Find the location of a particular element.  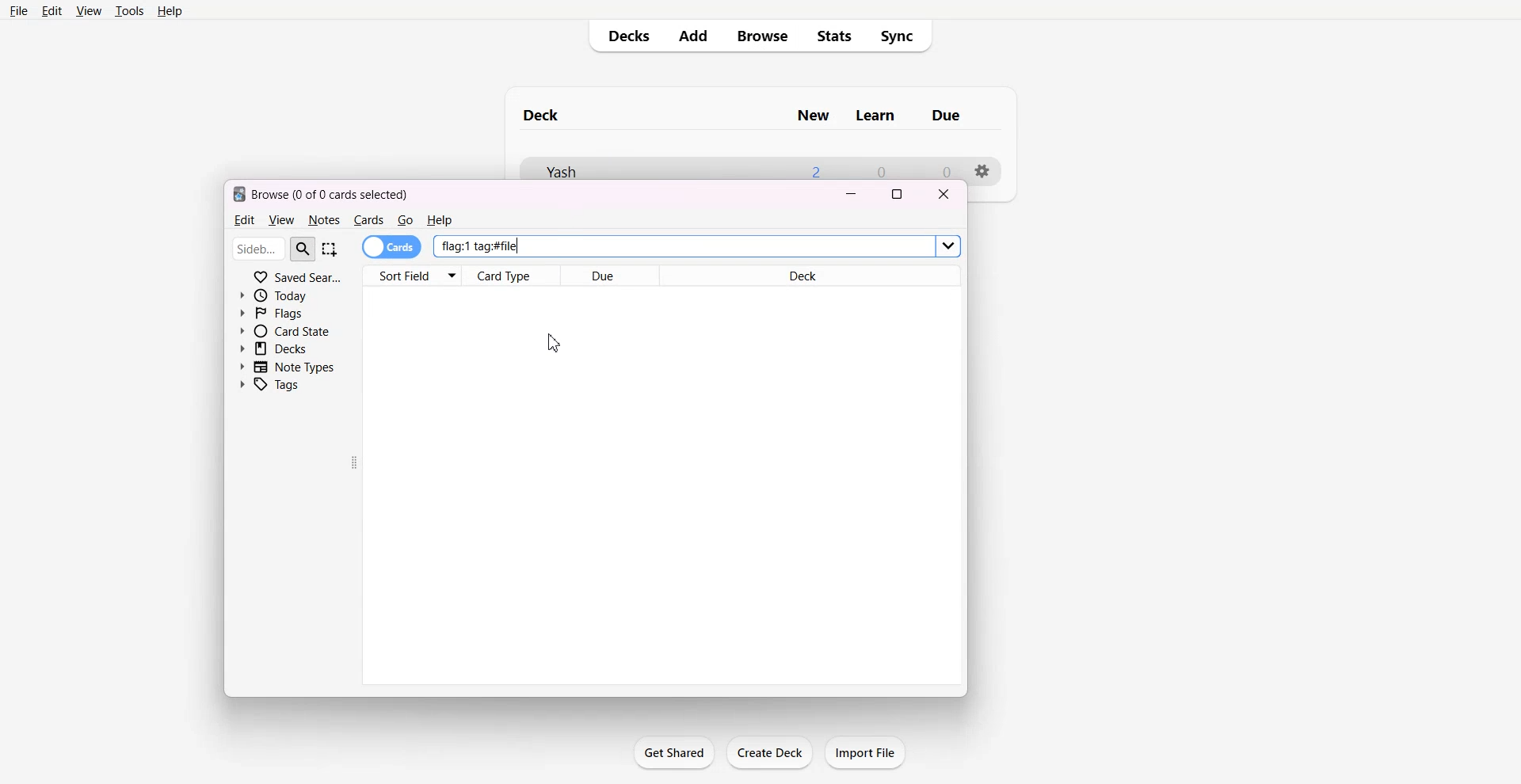

Get Shared is located at coordinates (673, 752).